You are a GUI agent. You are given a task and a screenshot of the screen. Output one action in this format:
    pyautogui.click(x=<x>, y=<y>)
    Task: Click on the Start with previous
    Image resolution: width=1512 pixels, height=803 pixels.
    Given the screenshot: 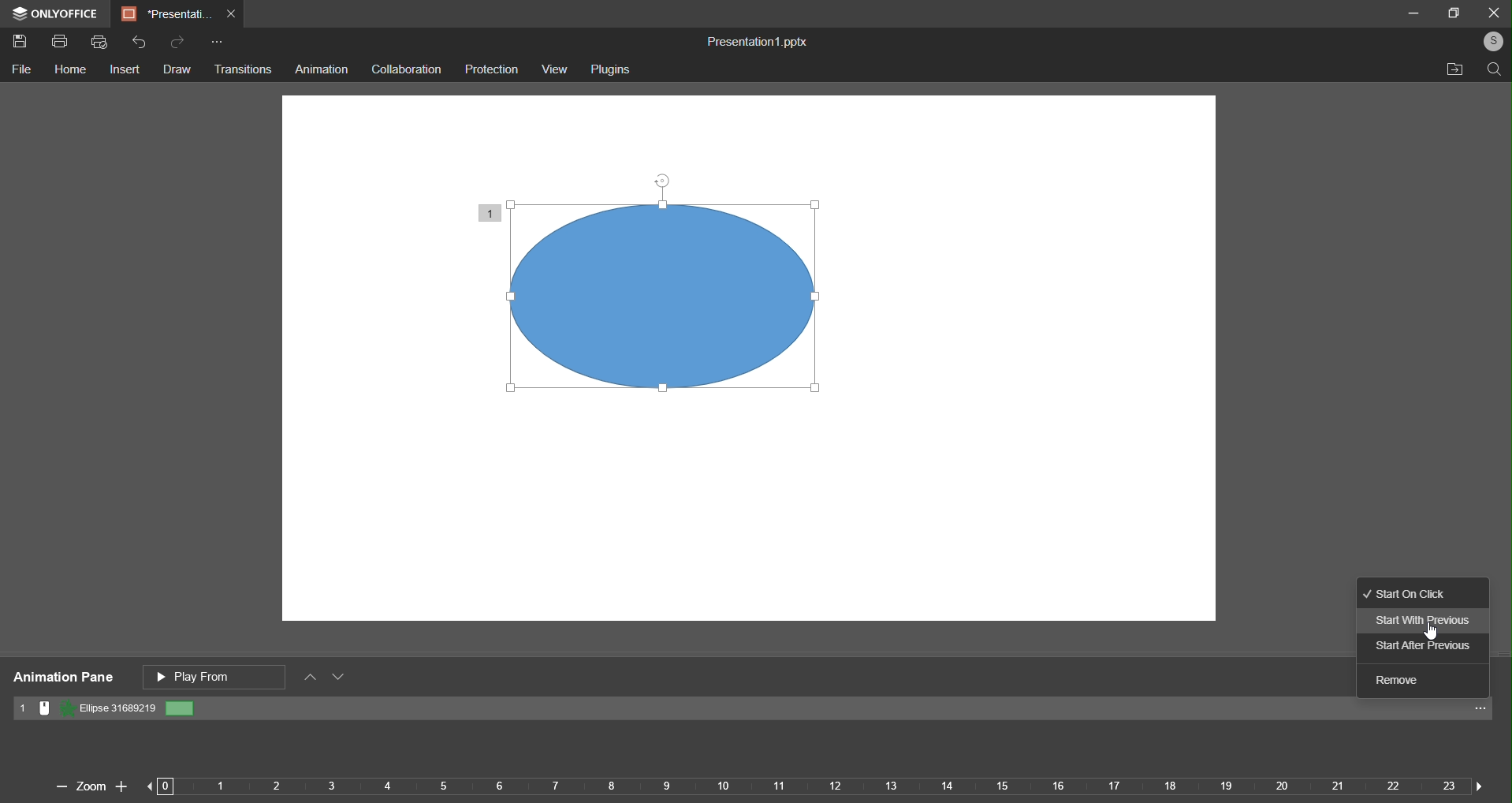 What is the action you would take?
    pyautogui.click(x=1421, y=619)
    